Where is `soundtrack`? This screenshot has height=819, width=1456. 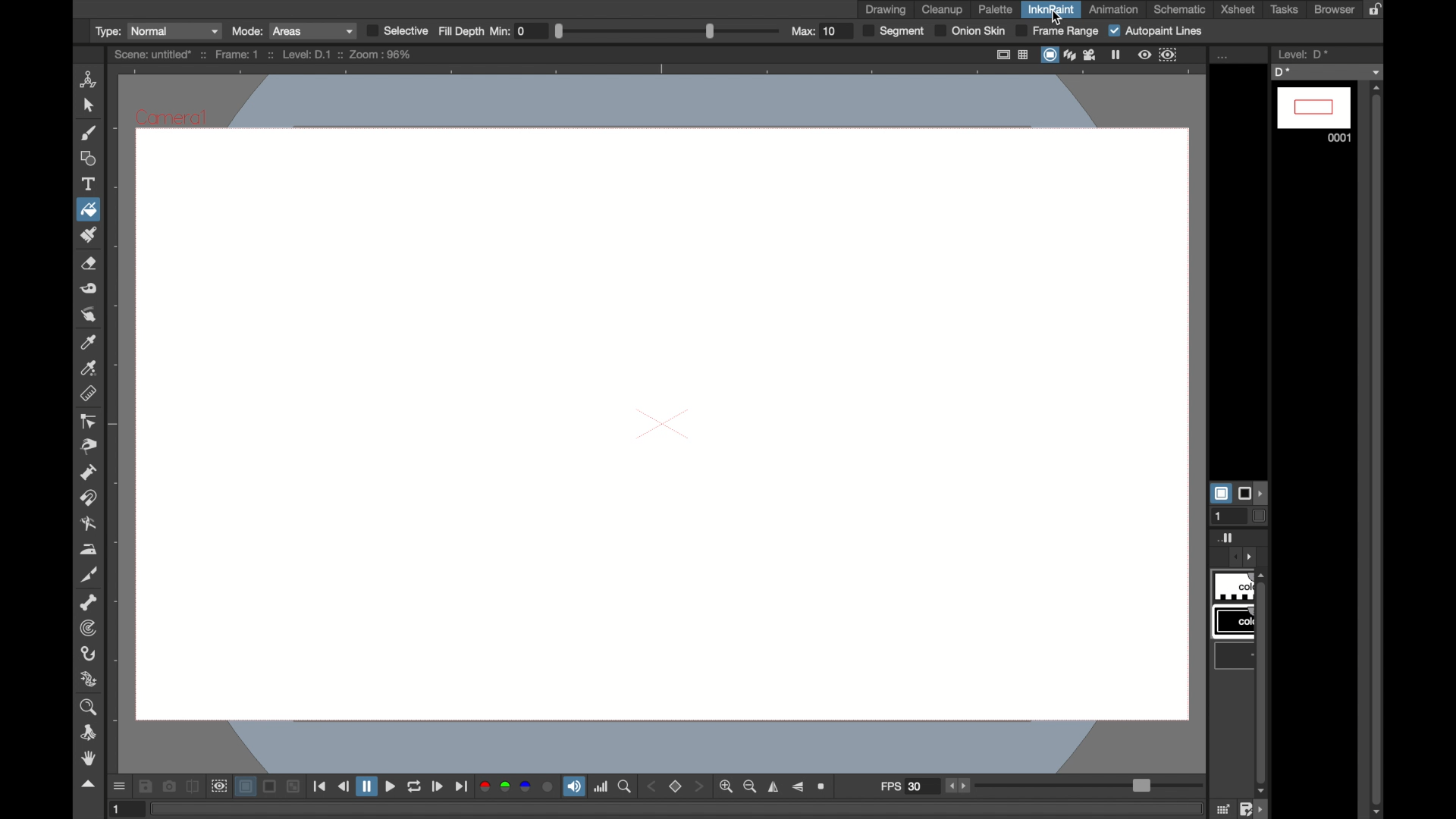
soundtrack is located at coordinates (575, 786).